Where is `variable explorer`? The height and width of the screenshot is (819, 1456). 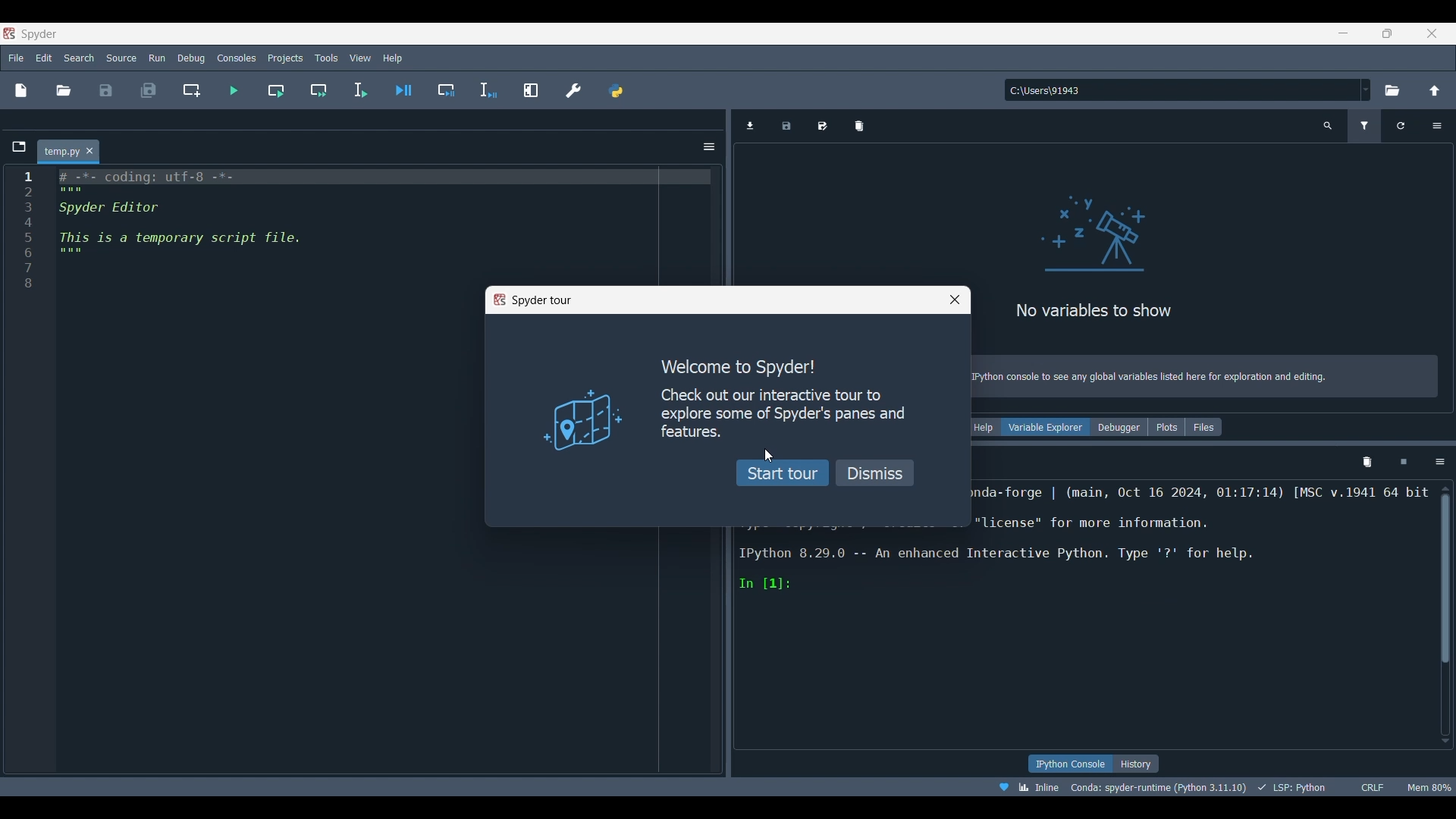 variable explorer is located at coordinates (1046, 425).